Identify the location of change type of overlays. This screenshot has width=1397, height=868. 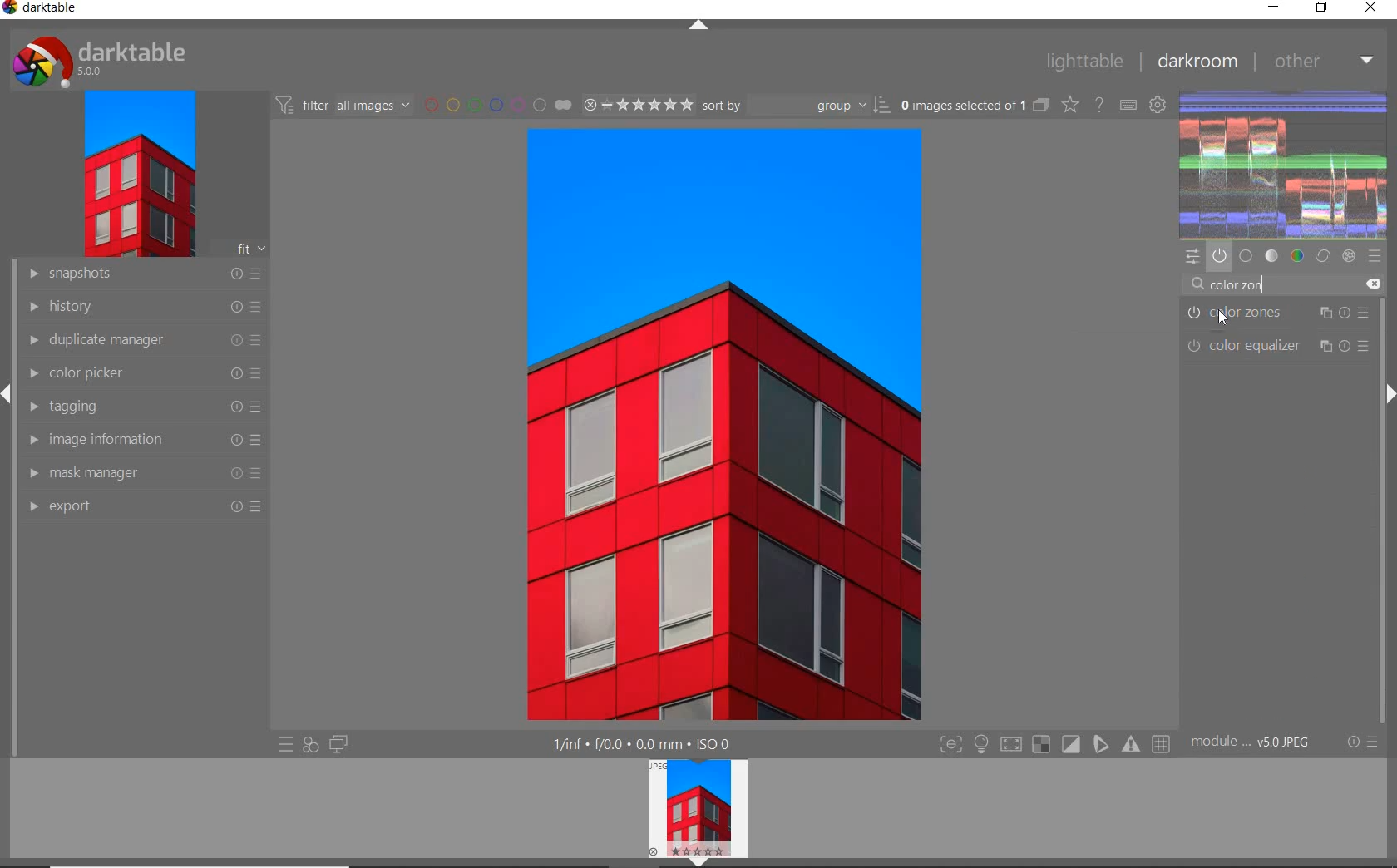
(1072, 106).